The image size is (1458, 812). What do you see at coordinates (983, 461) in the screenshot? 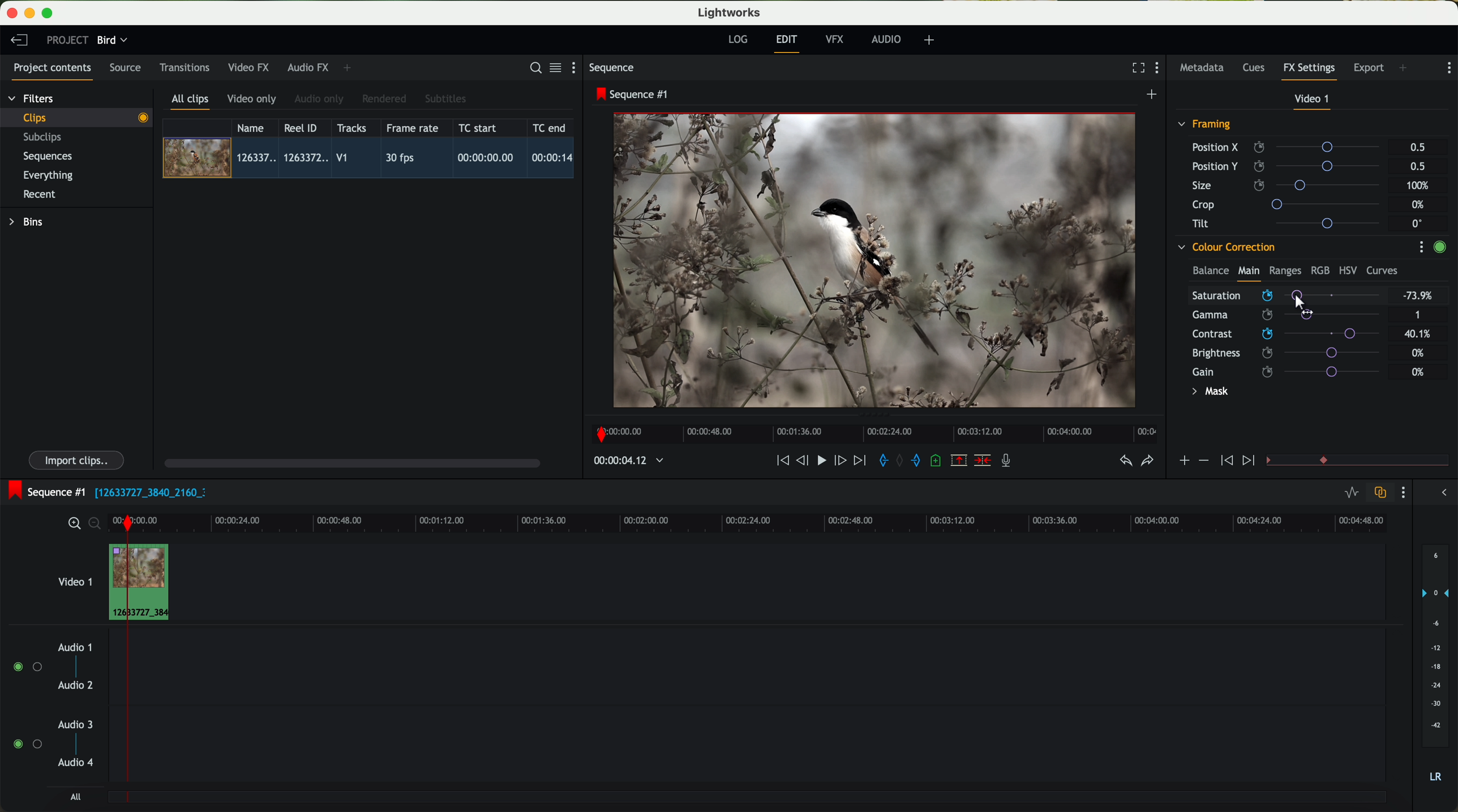
I see `delete/cut` at bounding box center [983, 461].